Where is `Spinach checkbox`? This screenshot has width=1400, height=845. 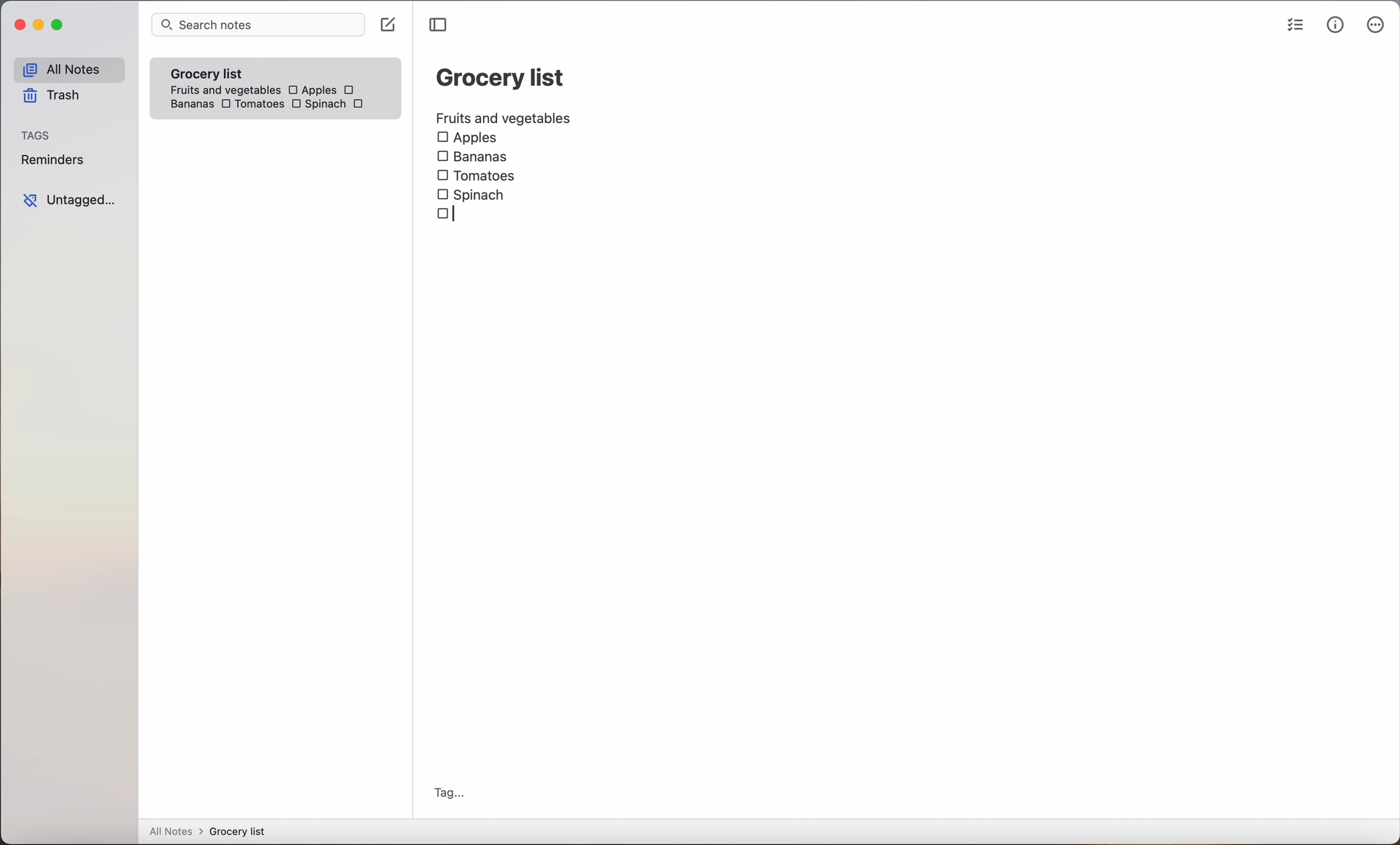
Spinach checkbox is located at coordinates (320, 106).